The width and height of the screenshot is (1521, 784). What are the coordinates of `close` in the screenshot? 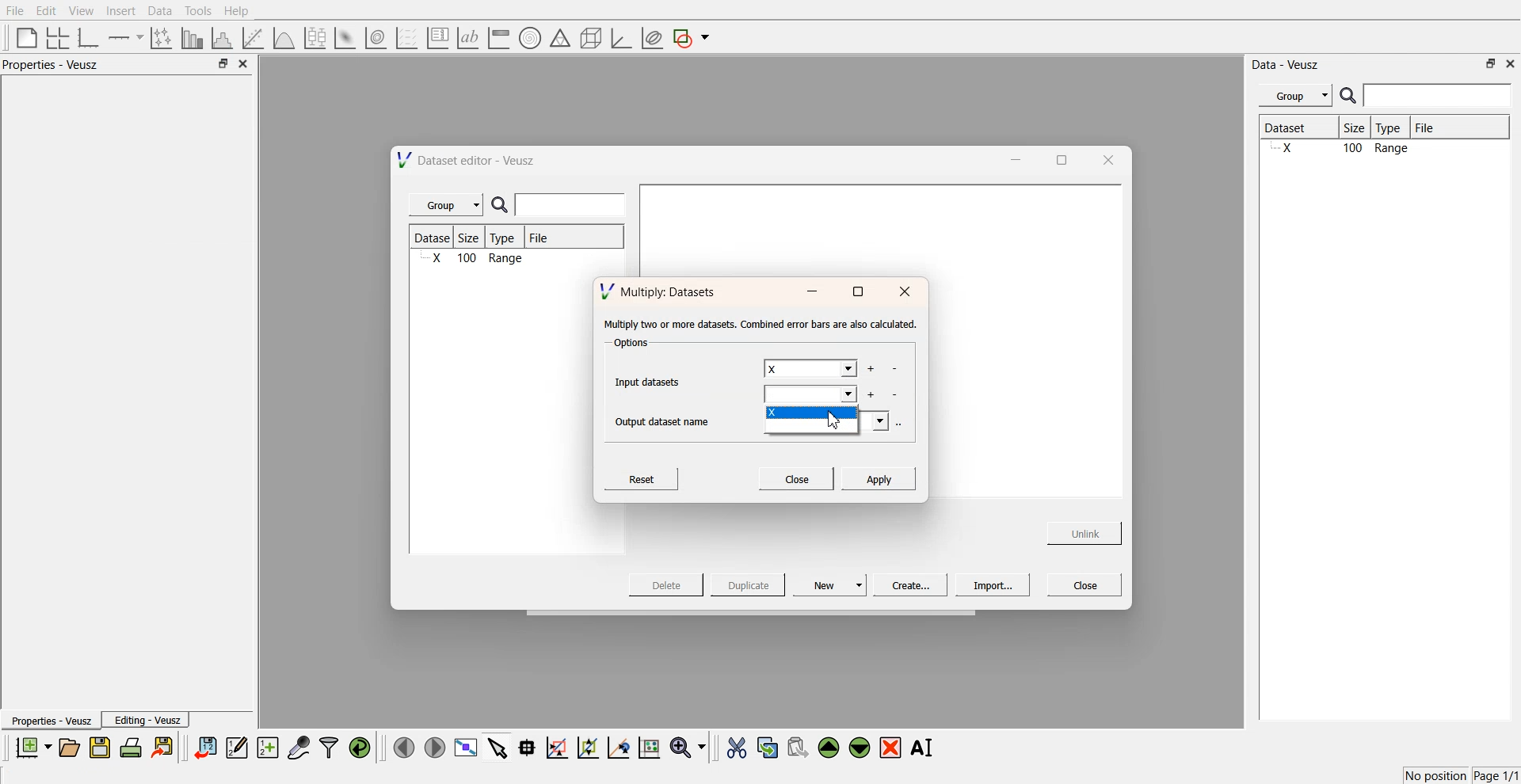 It's located at (905, 292).